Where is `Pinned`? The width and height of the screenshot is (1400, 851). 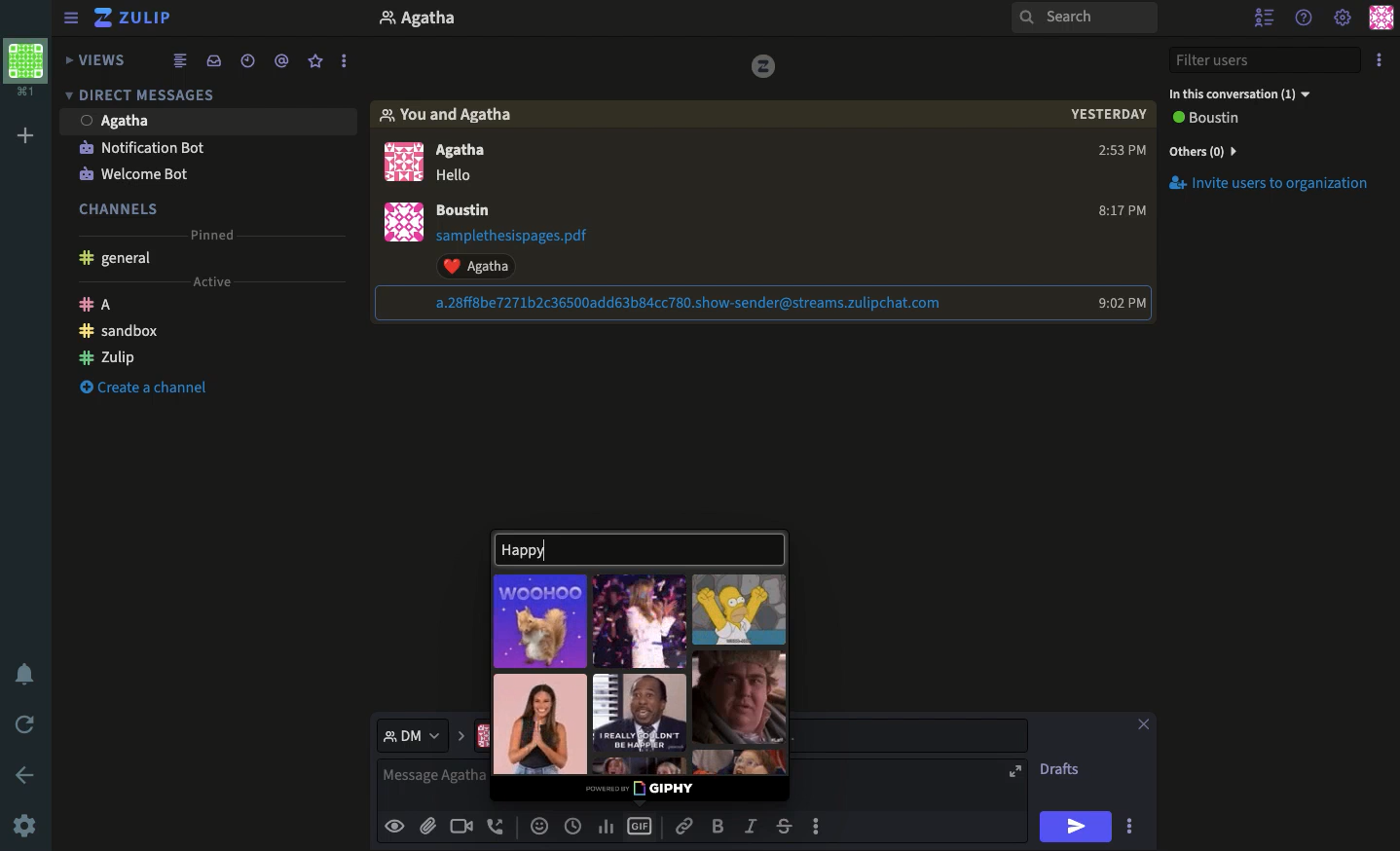
Pinned is located at coordinates (221, 230).